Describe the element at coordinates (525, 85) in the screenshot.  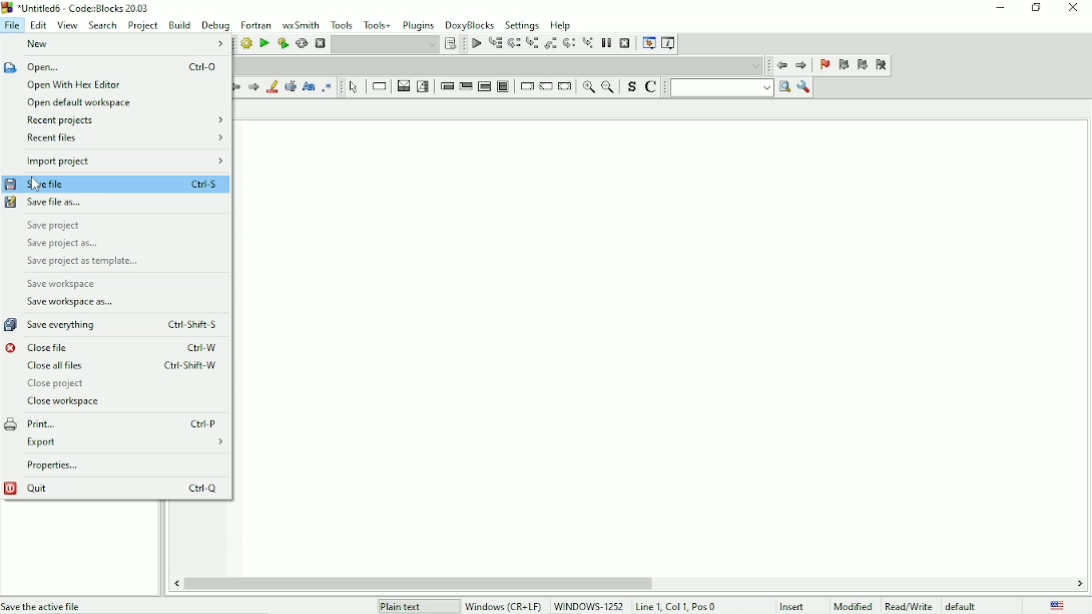
I see `Break-instruction` at that location.